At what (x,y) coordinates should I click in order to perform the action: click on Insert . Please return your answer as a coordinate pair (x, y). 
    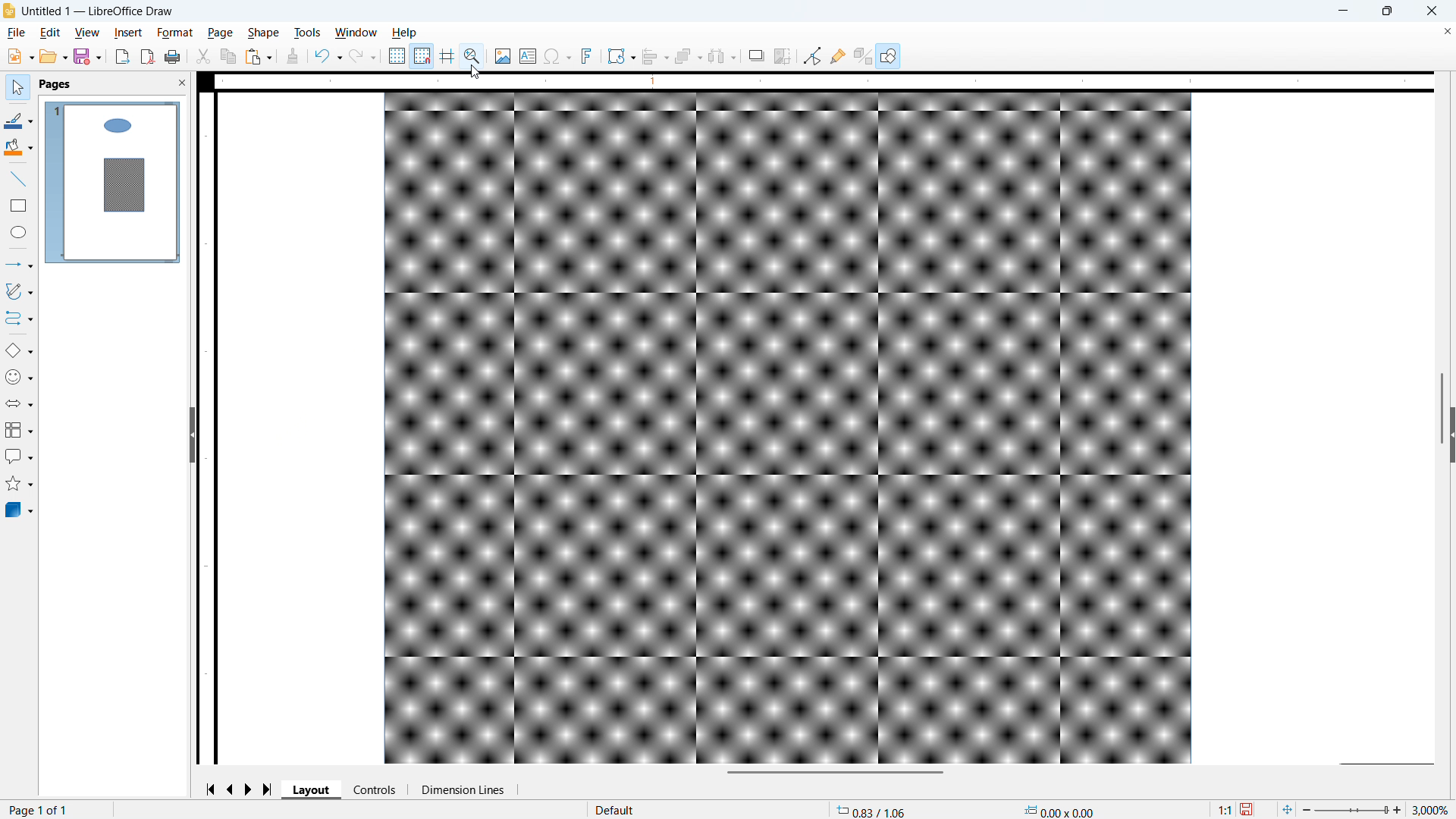
    Looking at the image, I should click on (128, 33).